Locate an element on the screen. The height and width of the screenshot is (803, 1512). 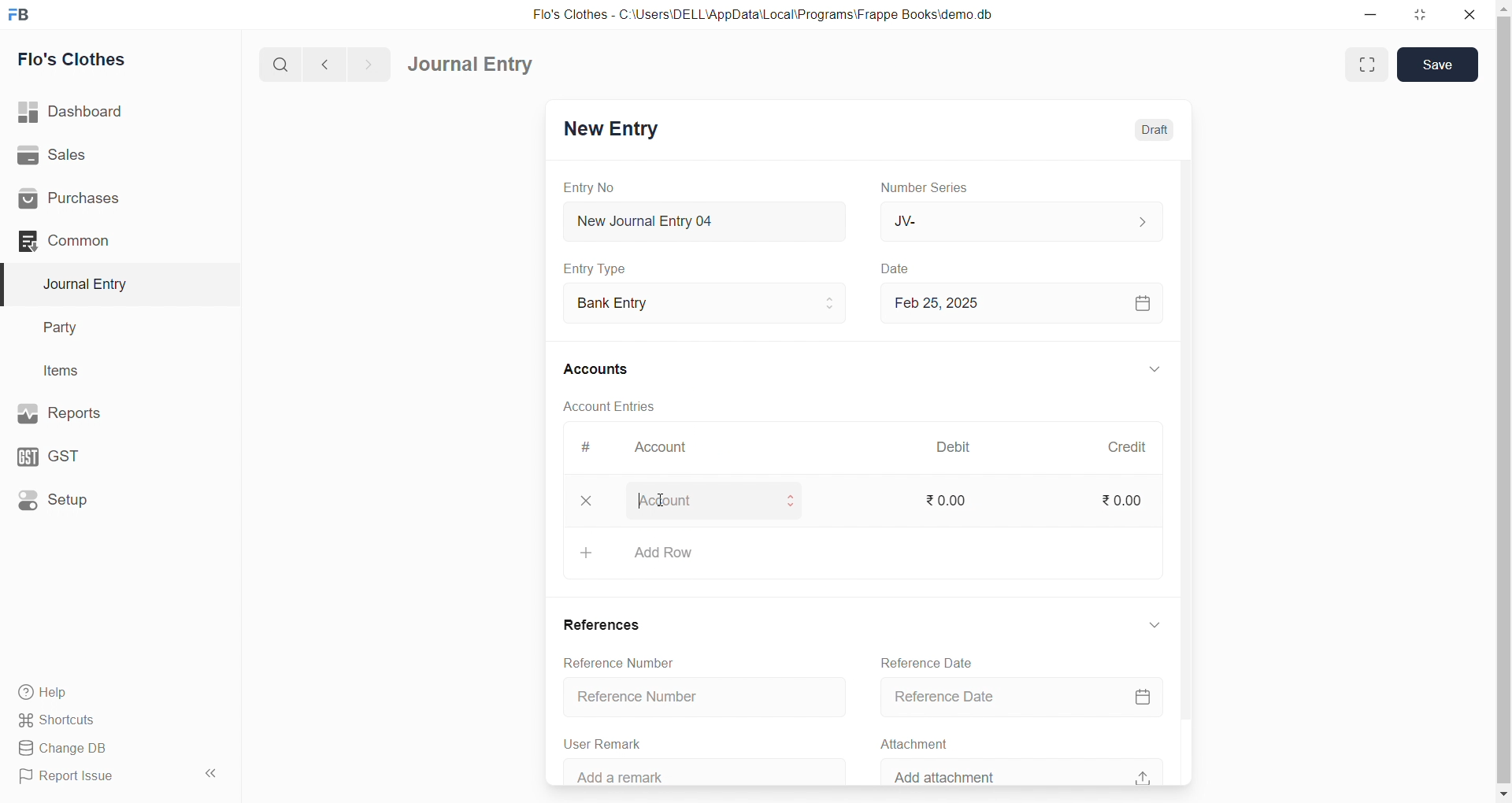
cursor is located at coordinates (661, 500).